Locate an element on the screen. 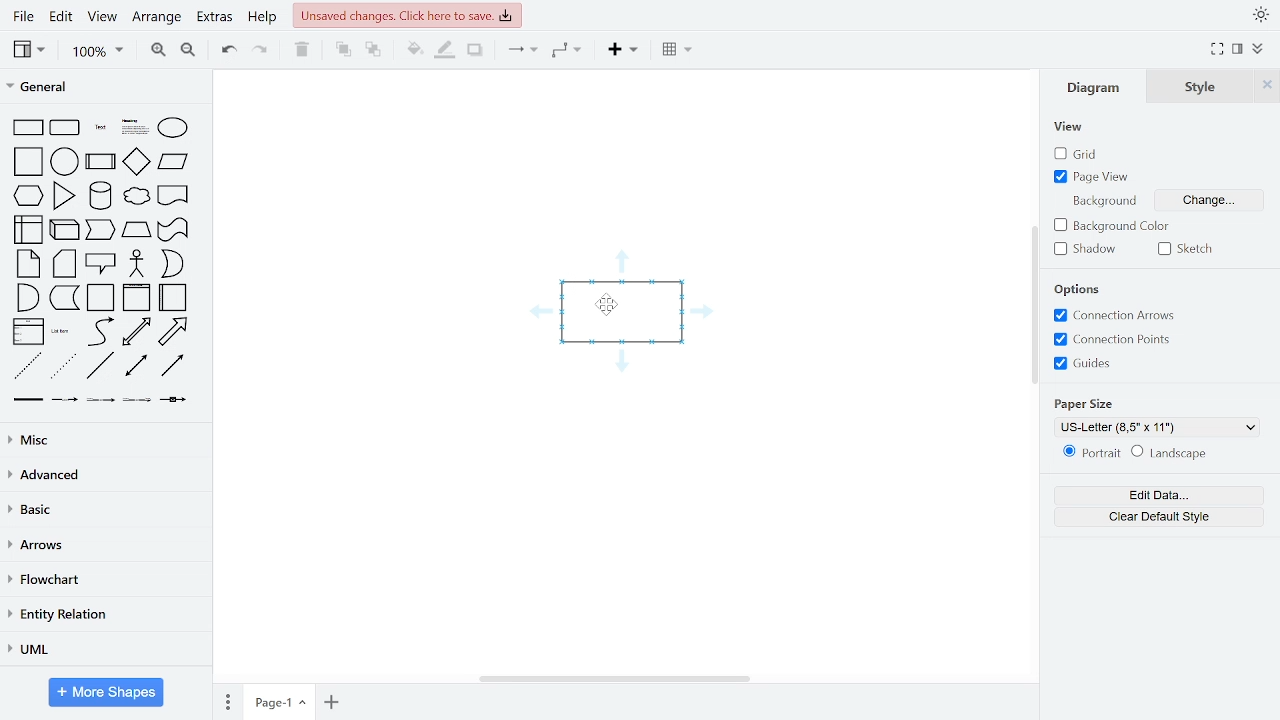 Image resolution: width=1280 pixels, height=720 pixels. connector with 3 label is located at coordinates (137, 400).